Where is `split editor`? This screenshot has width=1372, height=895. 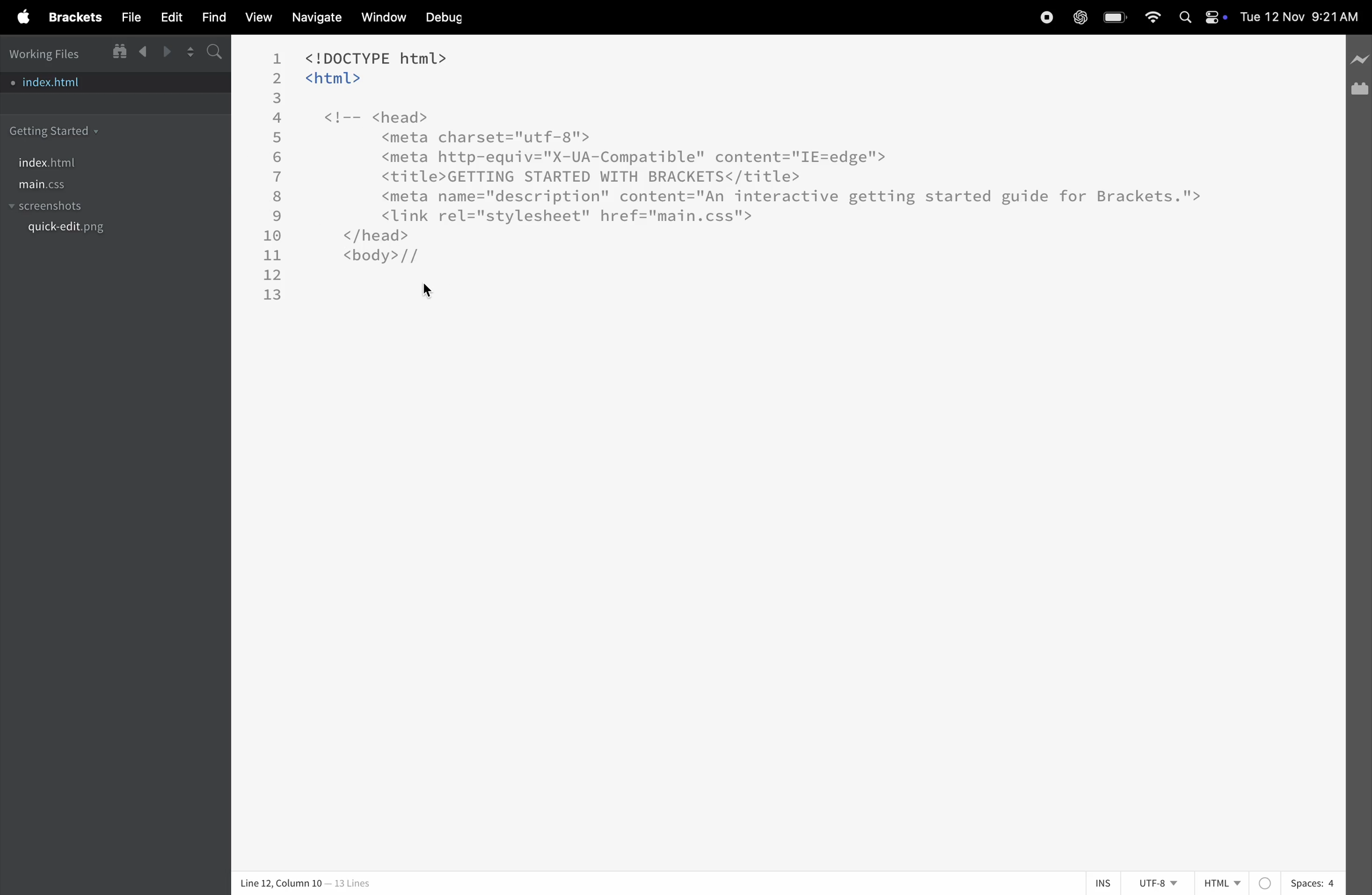
split editor is located at coordinates (188, 52).